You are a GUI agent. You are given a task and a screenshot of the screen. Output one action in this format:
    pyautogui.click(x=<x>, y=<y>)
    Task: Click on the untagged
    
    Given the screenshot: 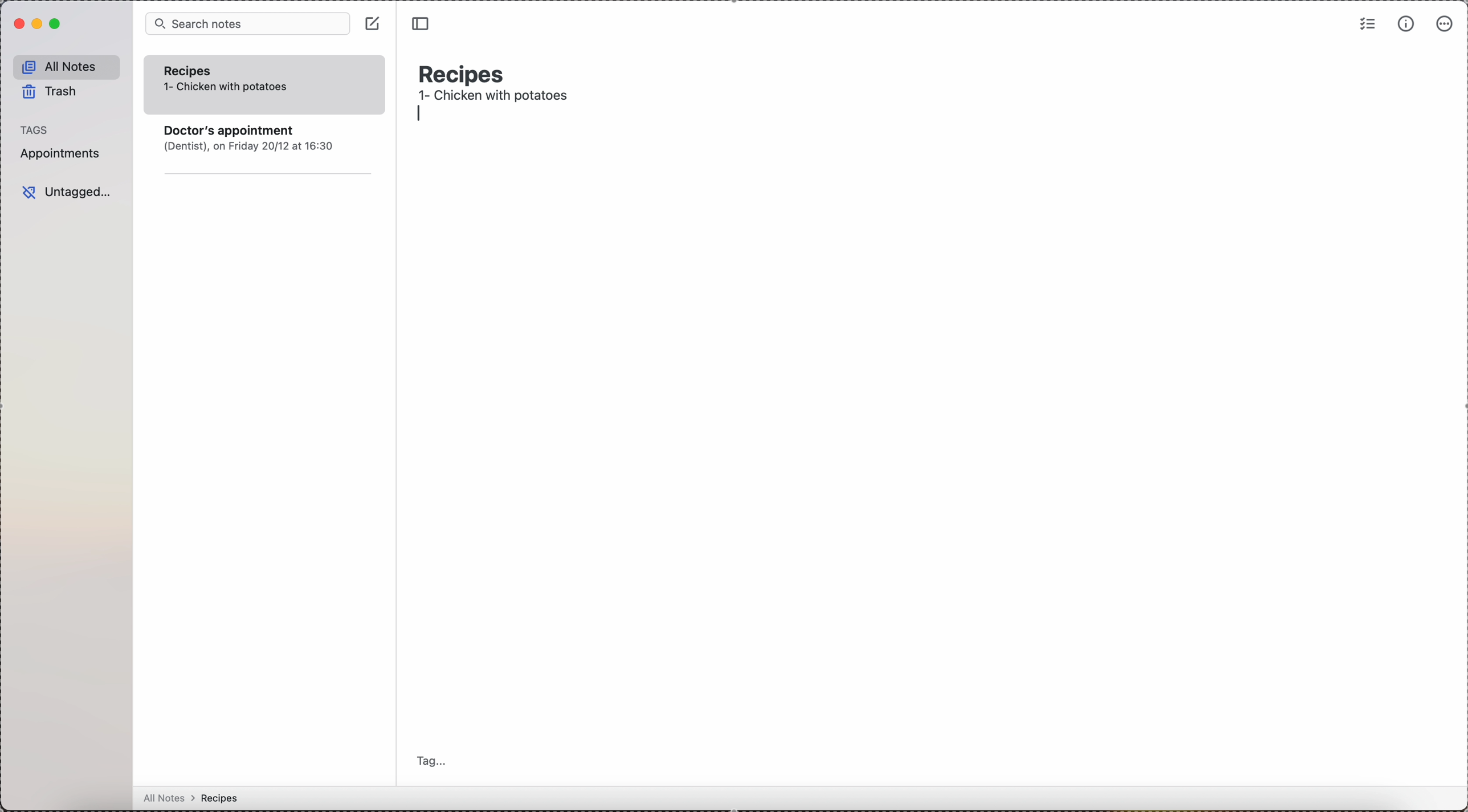 What is the action you would take?
    pyautogui.click(x=64, y=191)
    